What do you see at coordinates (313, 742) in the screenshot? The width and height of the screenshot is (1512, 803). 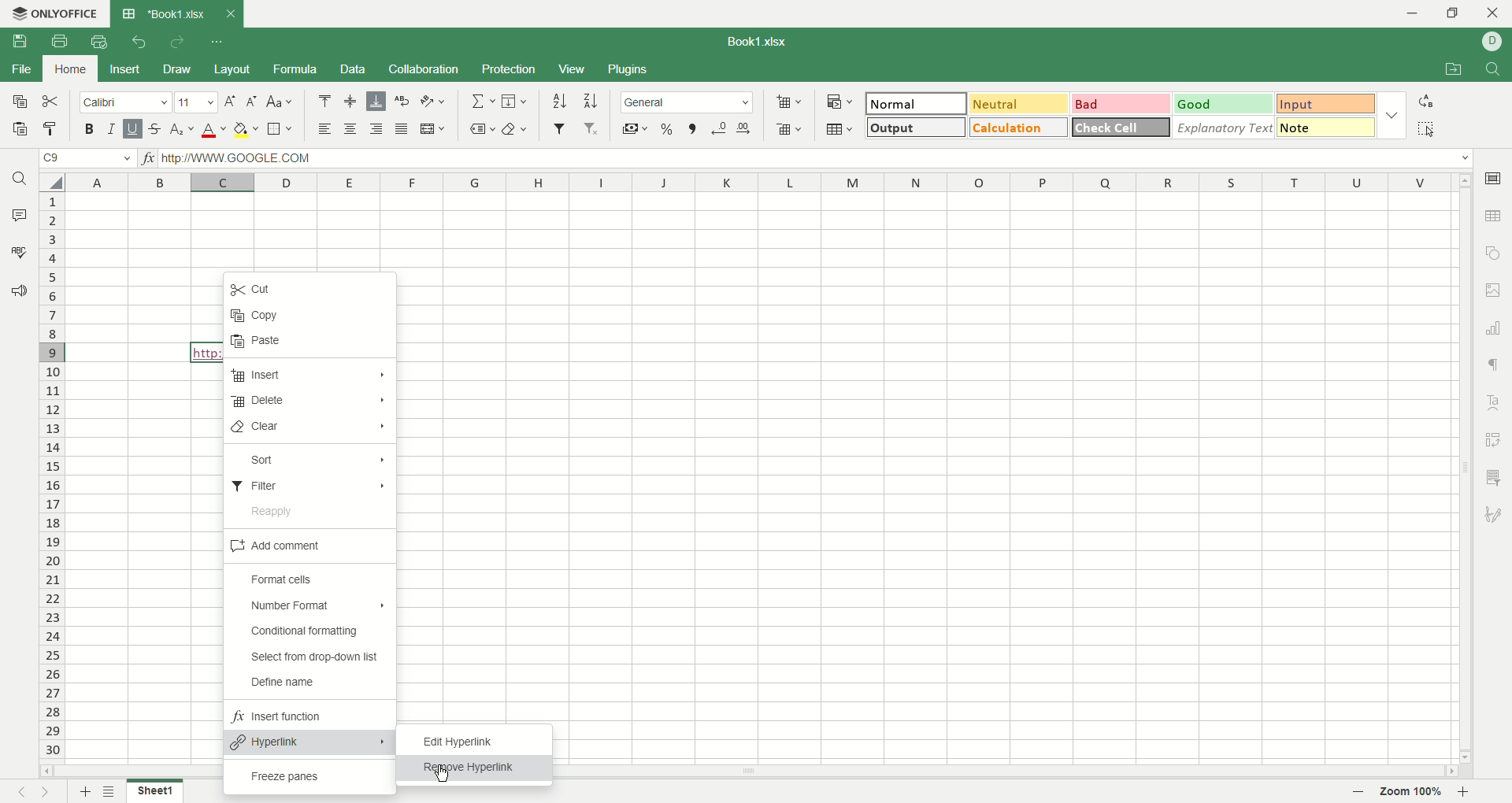 I see `hyperlink` at bounding box center [313, 742].